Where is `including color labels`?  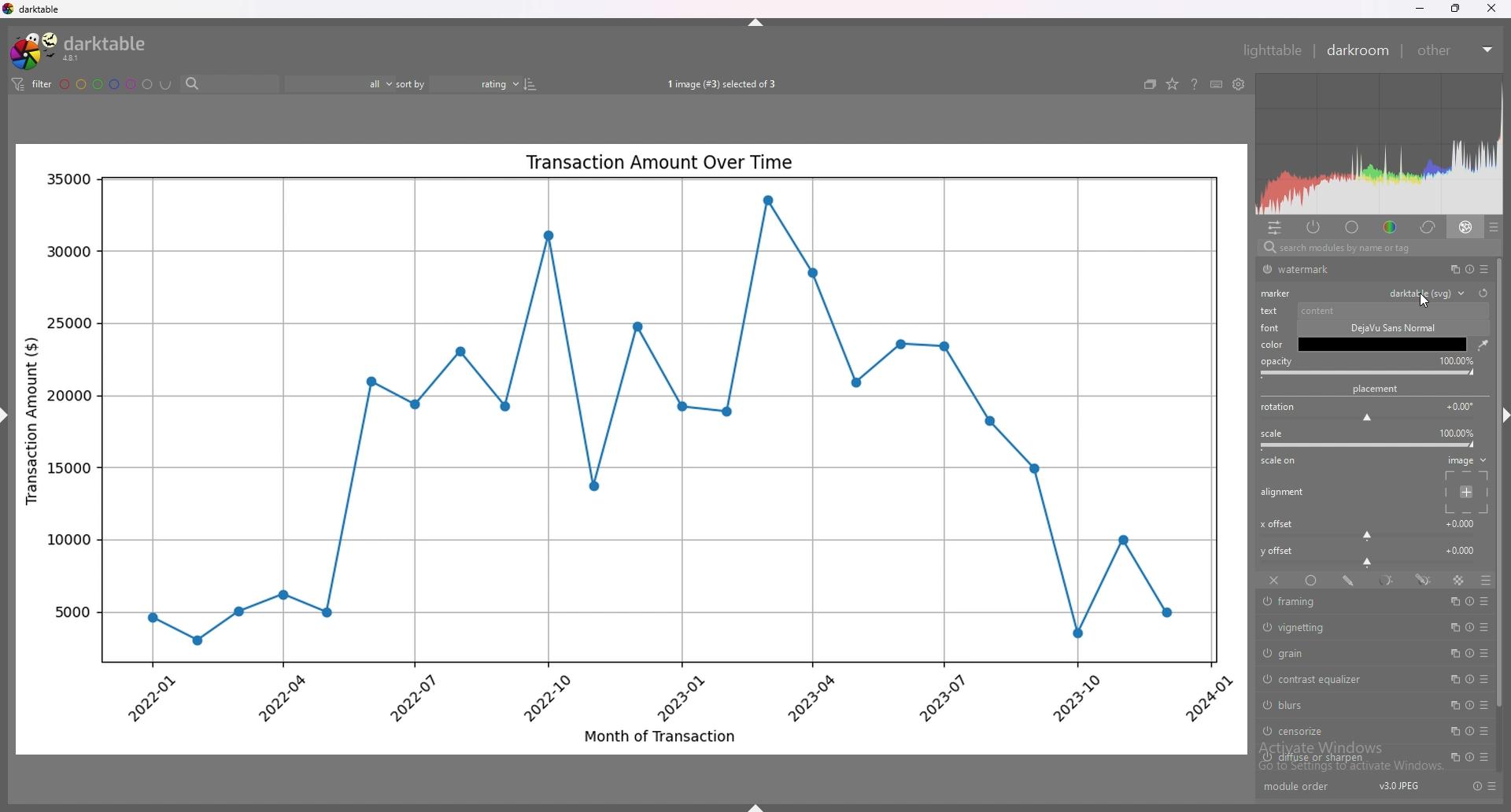 including color labels is located at coordinates (165, 85).